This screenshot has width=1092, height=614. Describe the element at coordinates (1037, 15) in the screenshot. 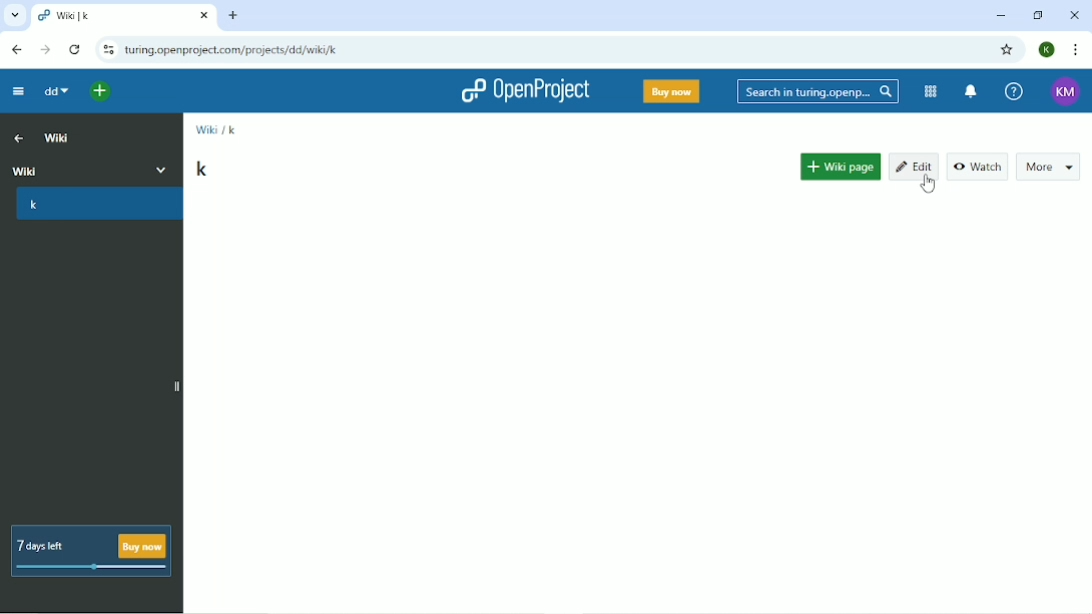

I see `Restore down` at that location.